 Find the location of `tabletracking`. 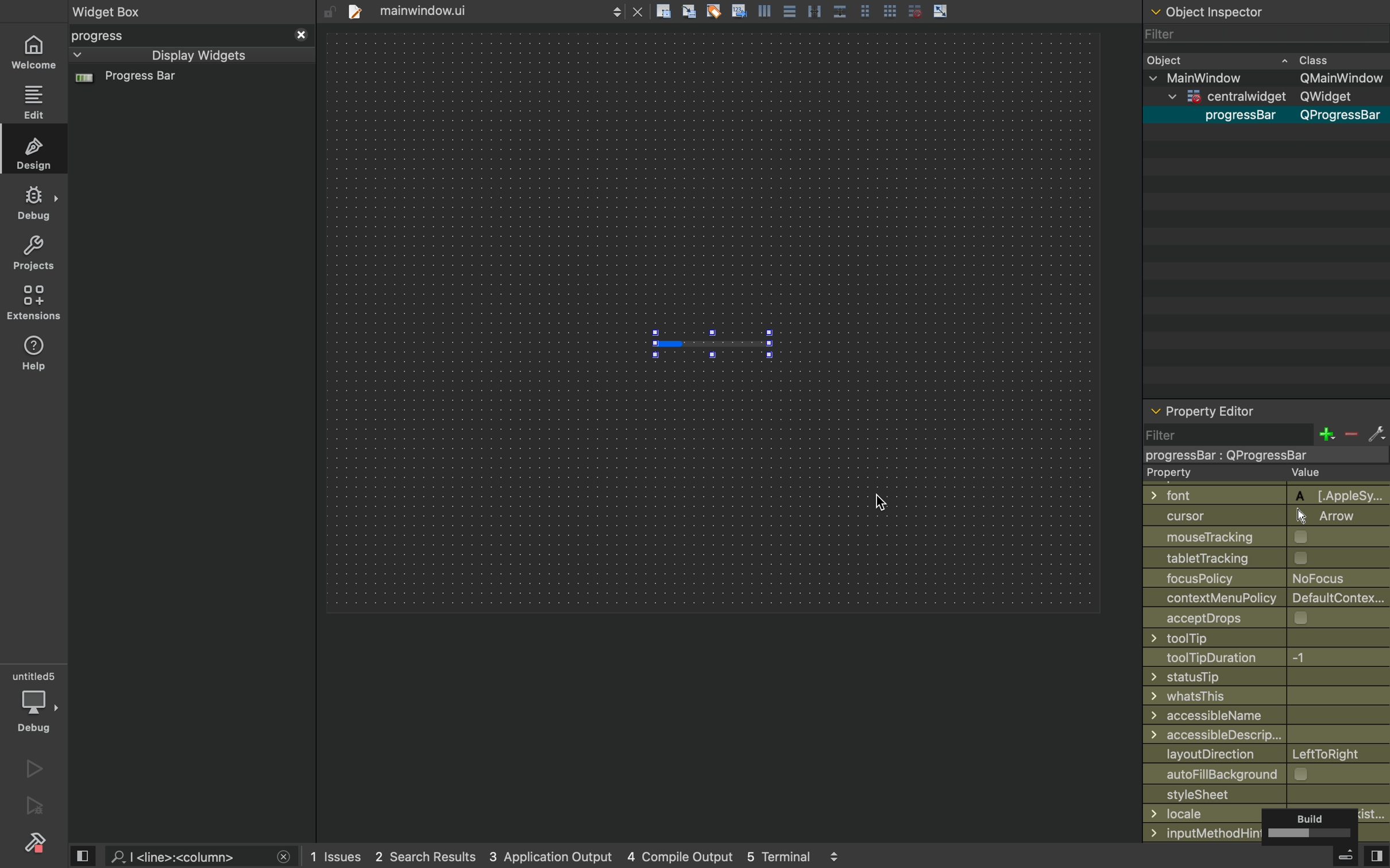

tabletracking is located at coordinates (1267, 557).